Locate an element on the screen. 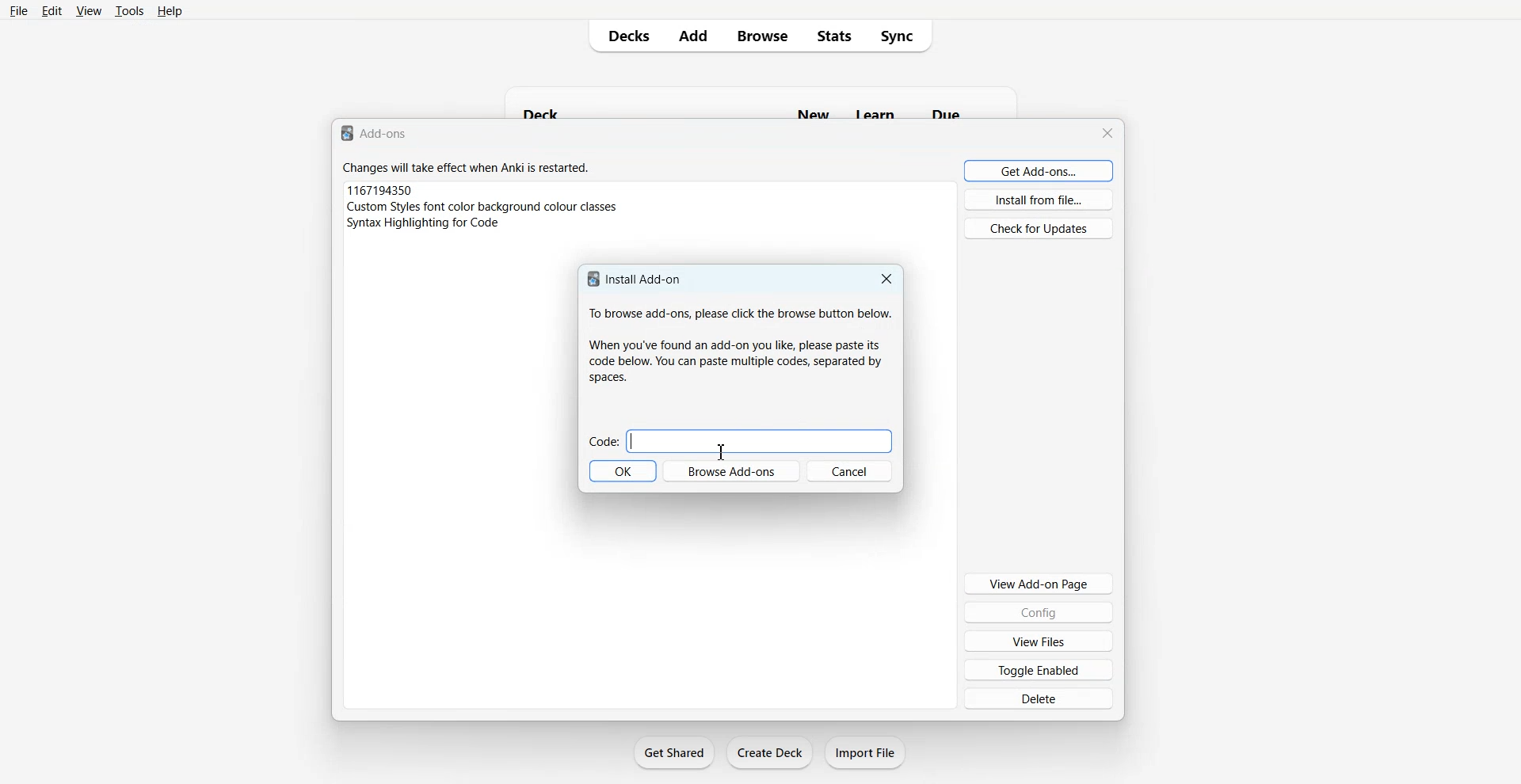 This screenshot has width=1521, height=784. Toggle Enabled is located at coordinates (1040, 669).